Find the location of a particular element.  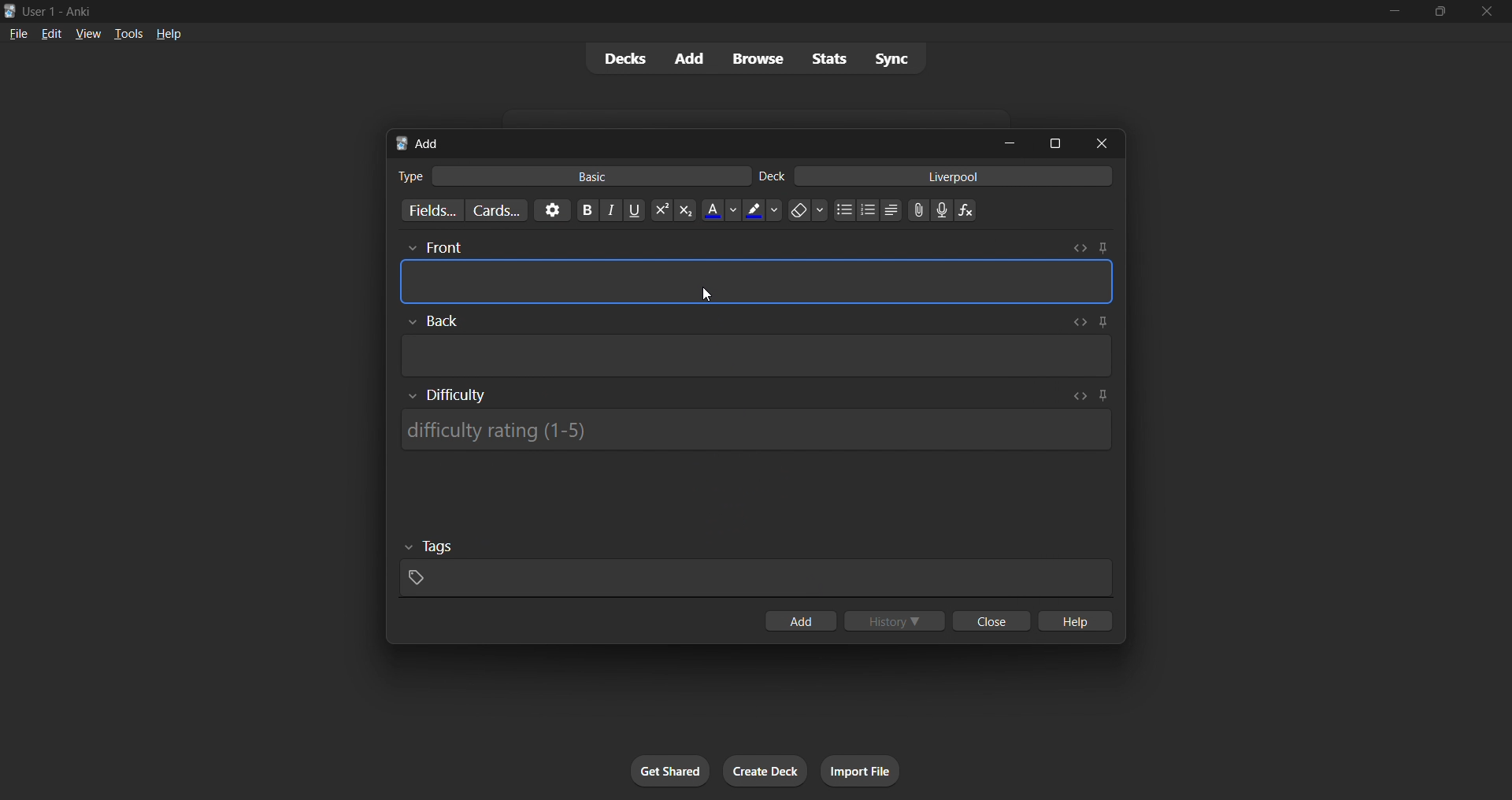

card deck input is located at coordinates (954, 176).